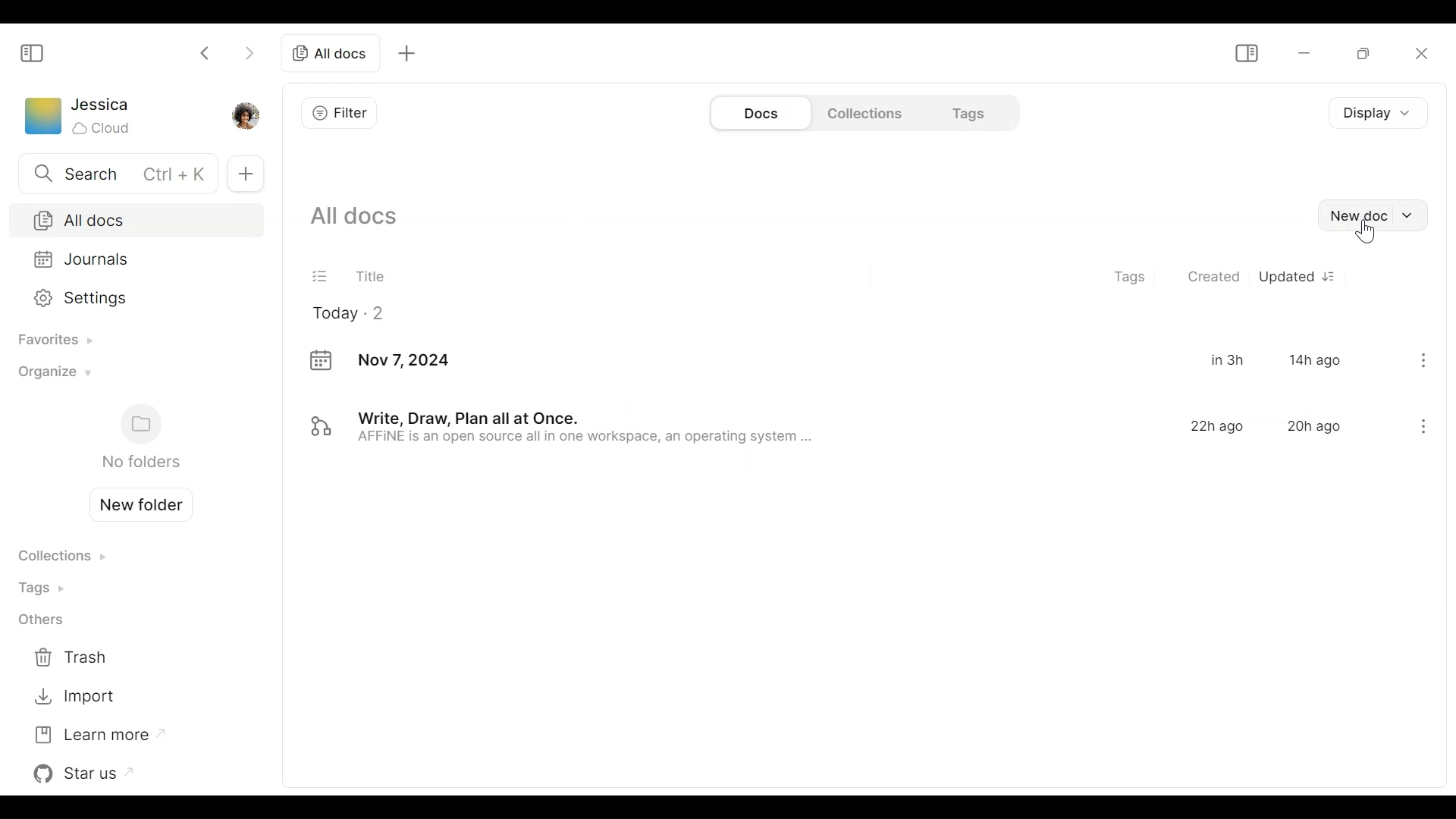 This screenshot has height=819, width=1456. What do you see at coordinates (752, 113) in the screenshot?
I see `Documents` at bounding box center [752, 113].